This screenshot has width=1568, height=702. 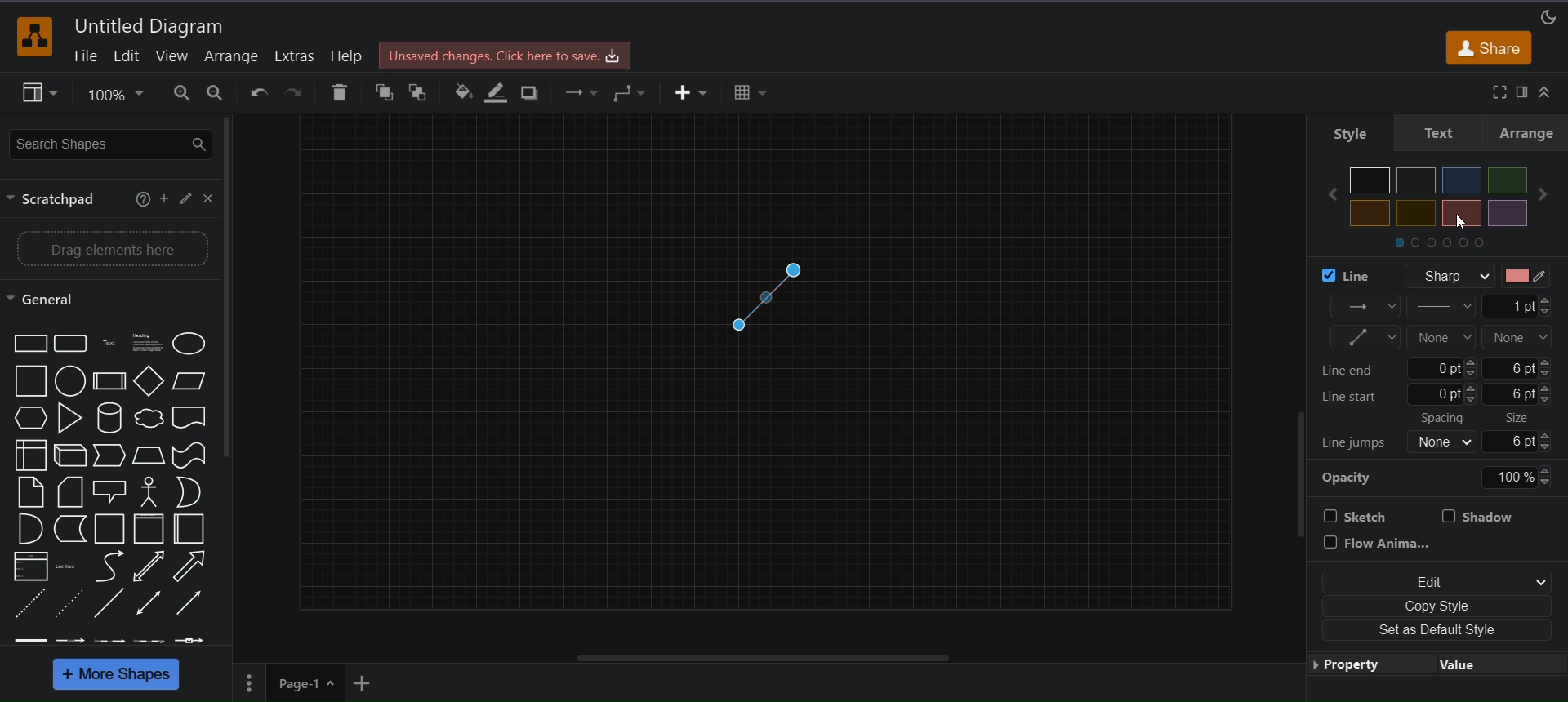 I want to click on waypoints, so click(x=1365, y=338).